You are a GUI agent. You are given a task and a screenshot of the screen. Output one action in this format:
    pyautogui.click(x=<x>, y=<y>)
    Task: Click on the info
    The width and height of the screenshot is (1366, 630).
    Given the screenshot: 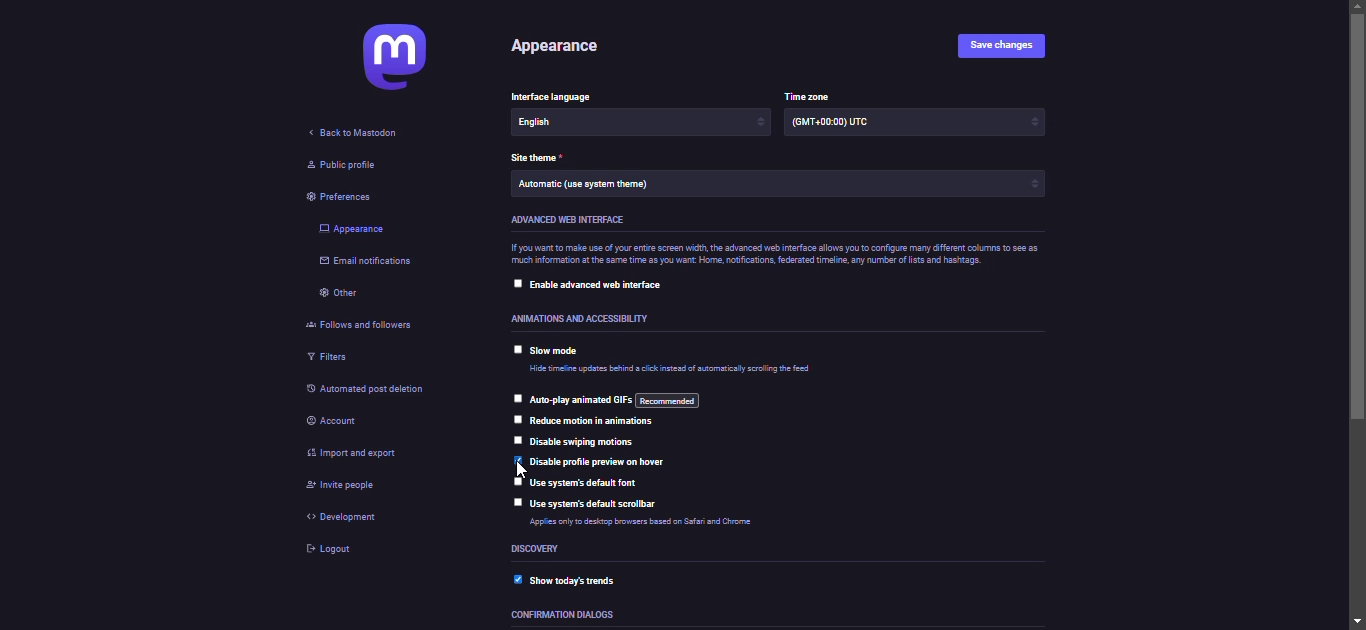 What is the action you would take?
    pyautogui.click(x=635, y=524)
    